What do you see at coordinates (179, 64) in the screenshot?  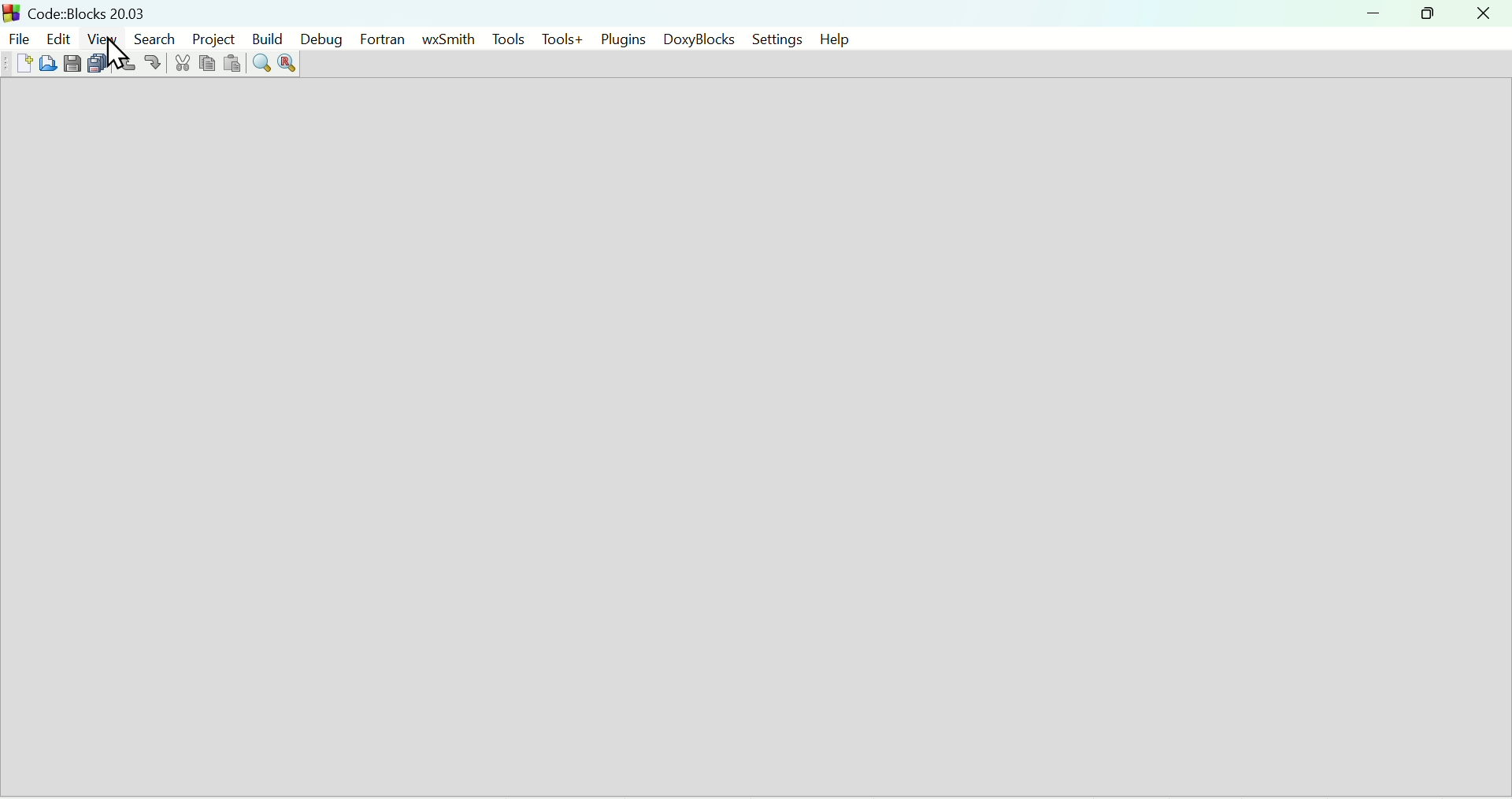 I see `Cut` at bounding box center [179, 64].